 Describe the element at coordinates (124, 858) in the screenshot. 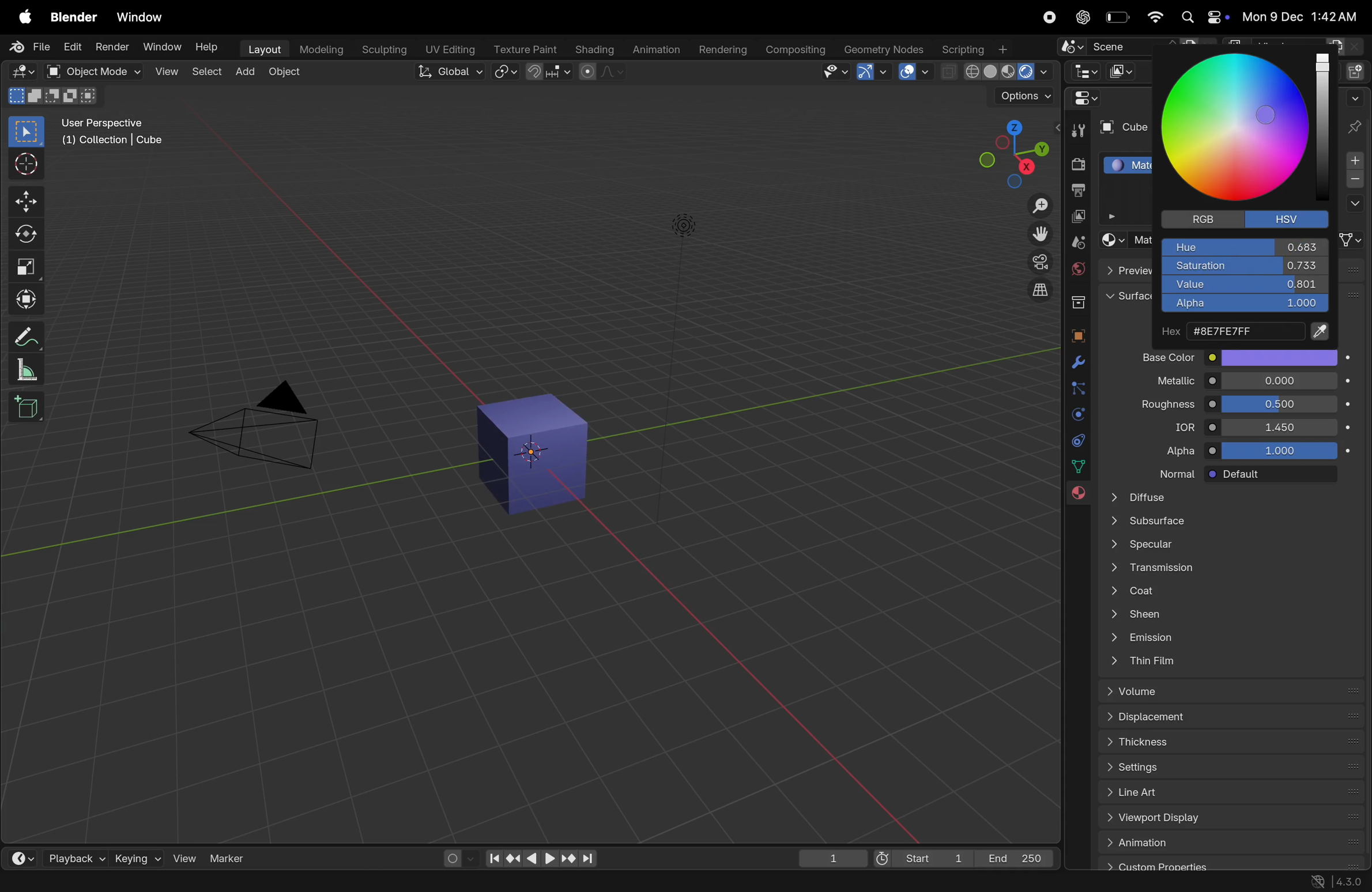

I see `keying` at that location.